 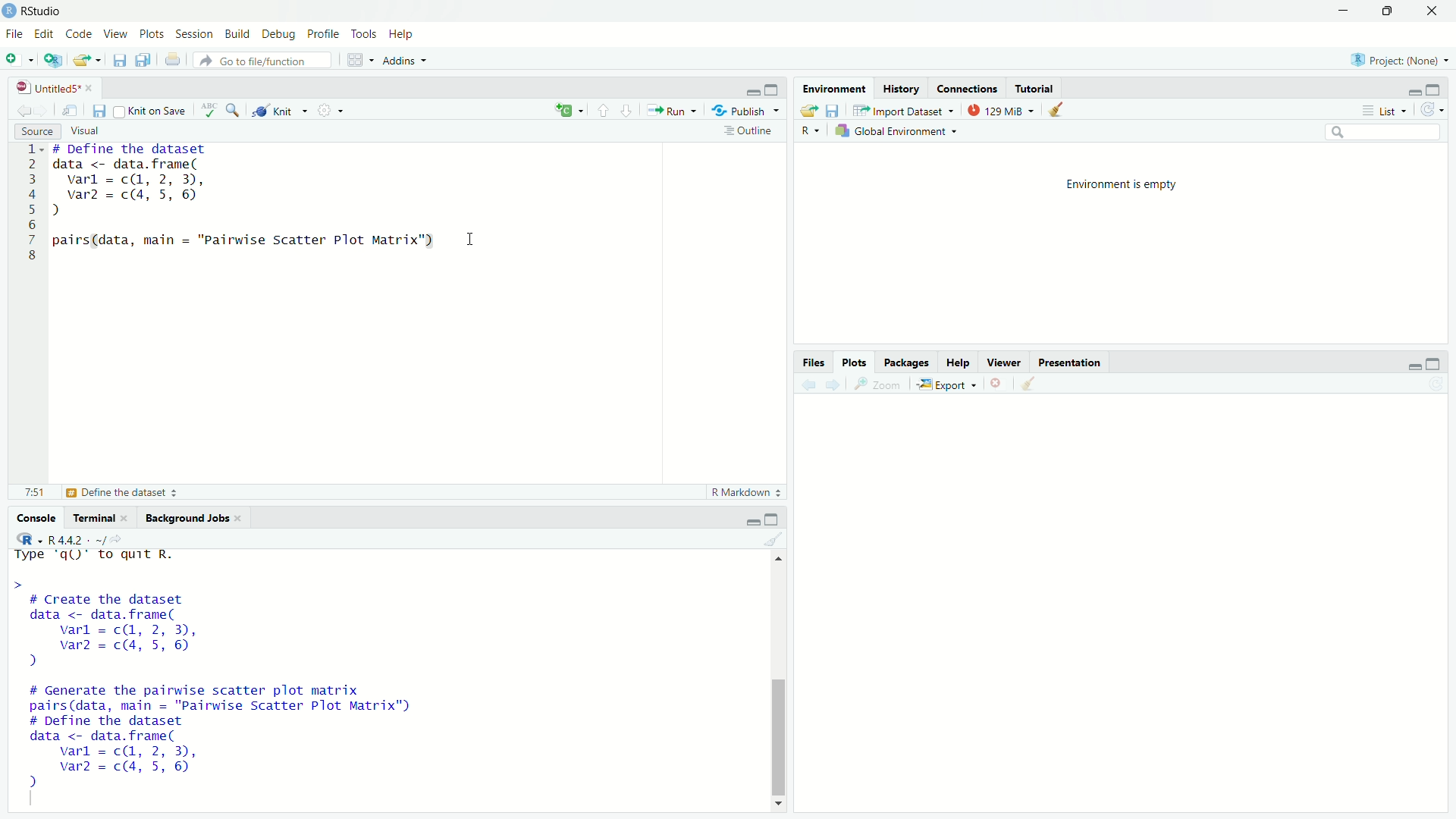 I want to click on Text cursor, so click(x=469, y=236).